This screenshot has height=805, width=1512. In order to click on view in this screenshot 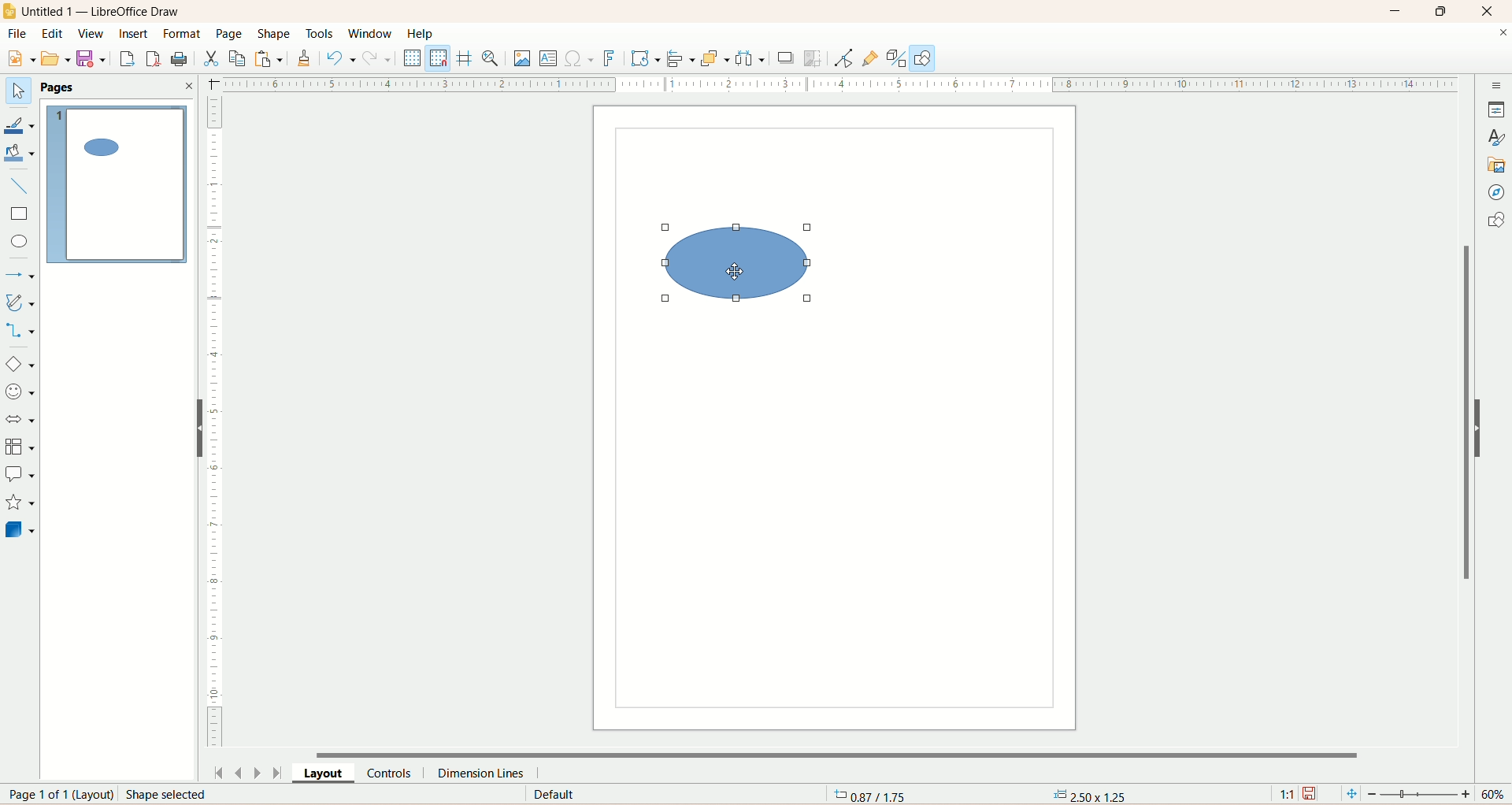, I will do `click(88, 32)`.